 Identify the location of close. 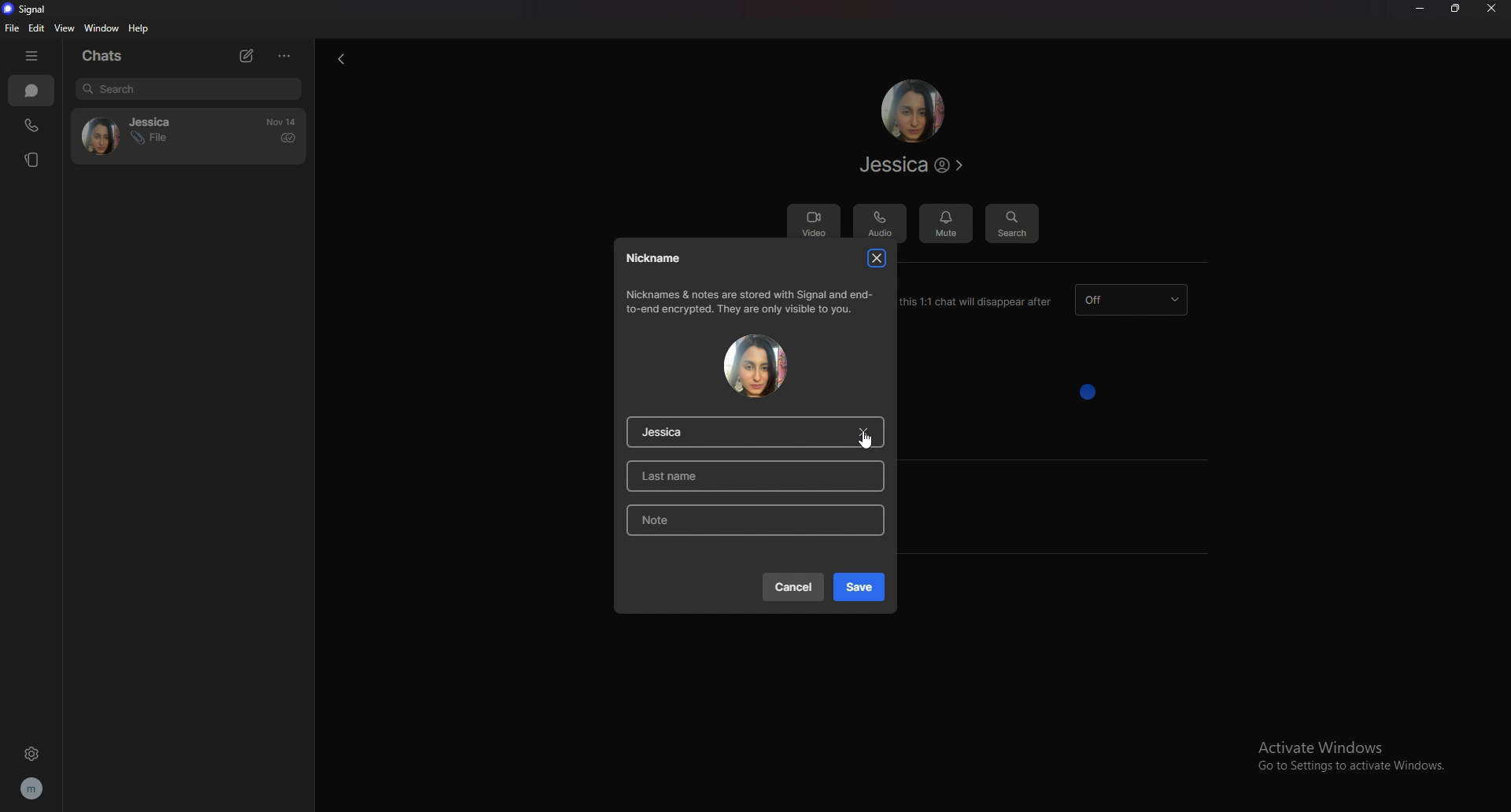
(1494, 9).